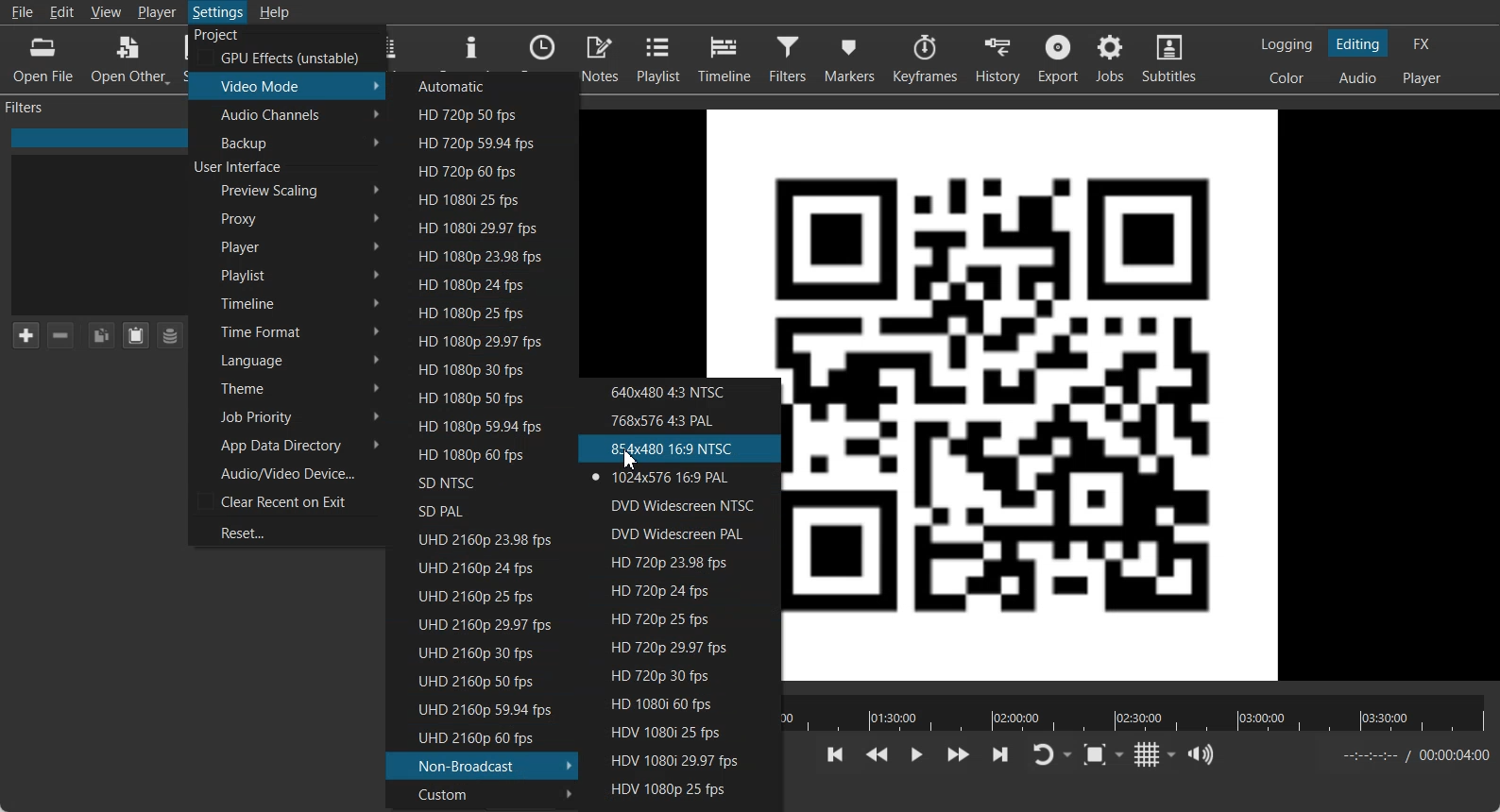 The height and width of the screenshot is (812, 1500). What do you see at coordinates (478, 340) in the screenshot?
I see `HD 1080p 29.97 fps` at bounding box center [478, 340].